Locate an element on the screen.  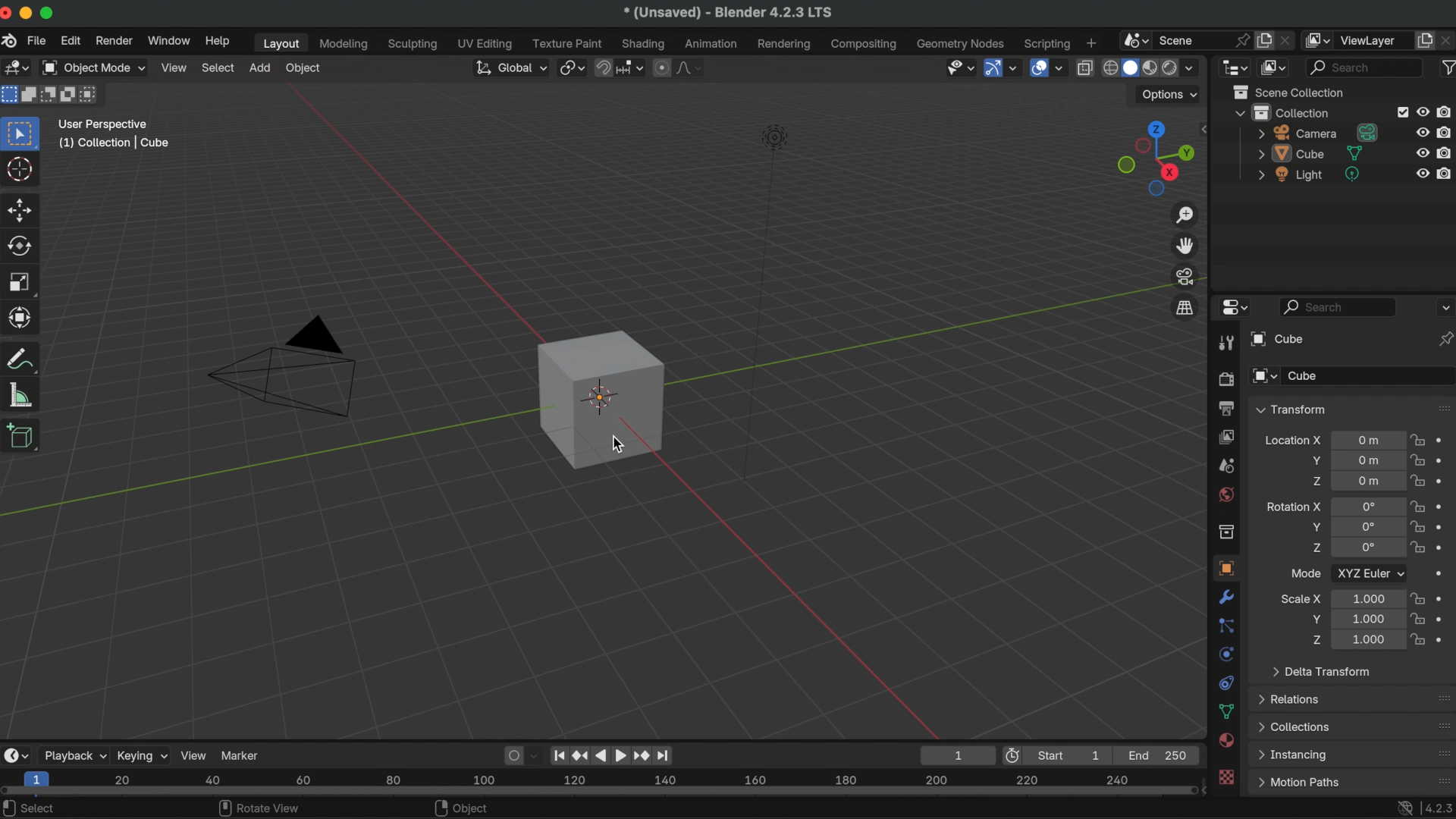
proportional editing fall off is located at coordinates (690, 67).